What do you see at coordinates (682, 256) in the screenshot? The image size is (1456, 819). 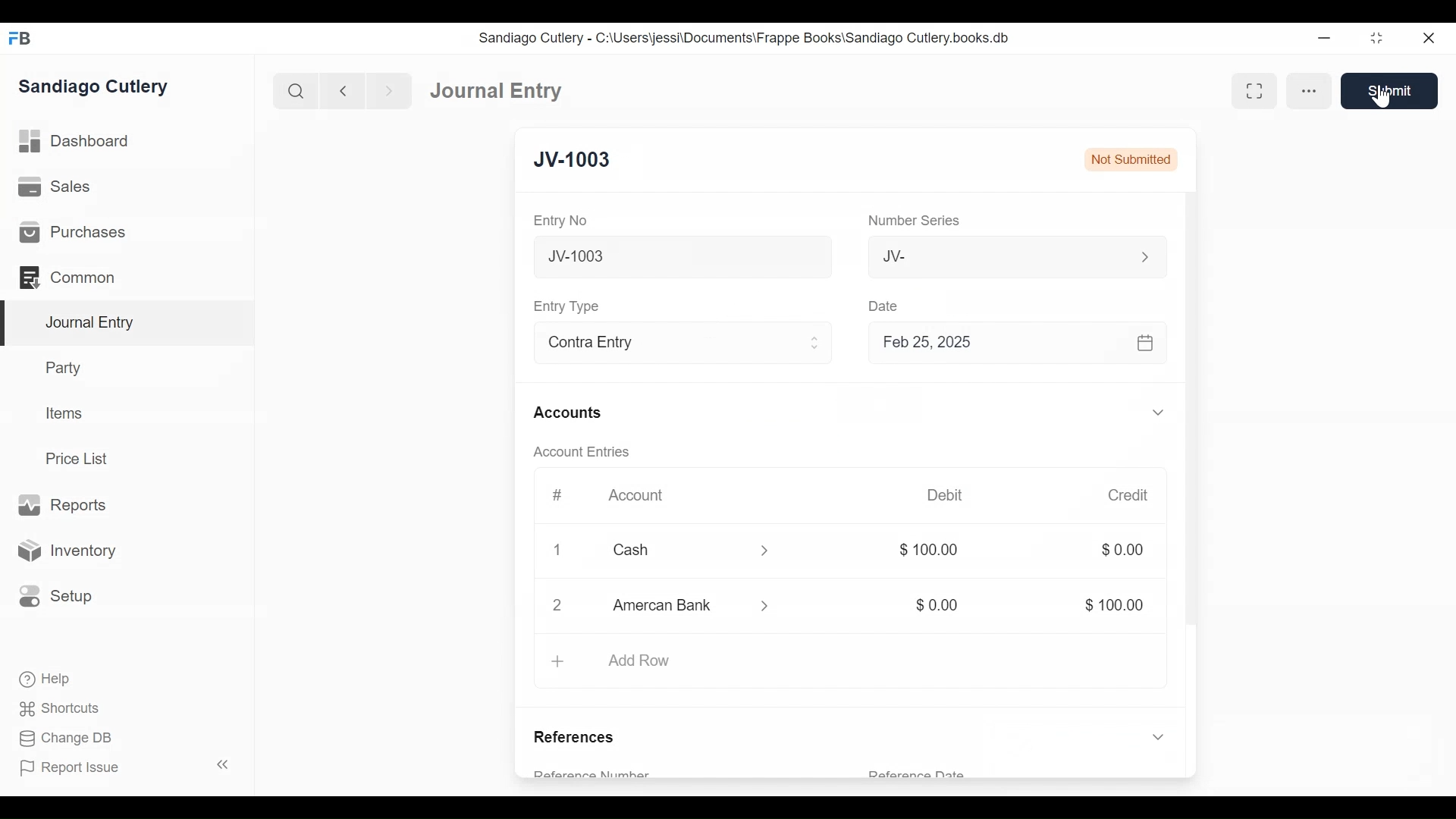 I see `New Journal Entry 10` at bounding box center [682, 256].